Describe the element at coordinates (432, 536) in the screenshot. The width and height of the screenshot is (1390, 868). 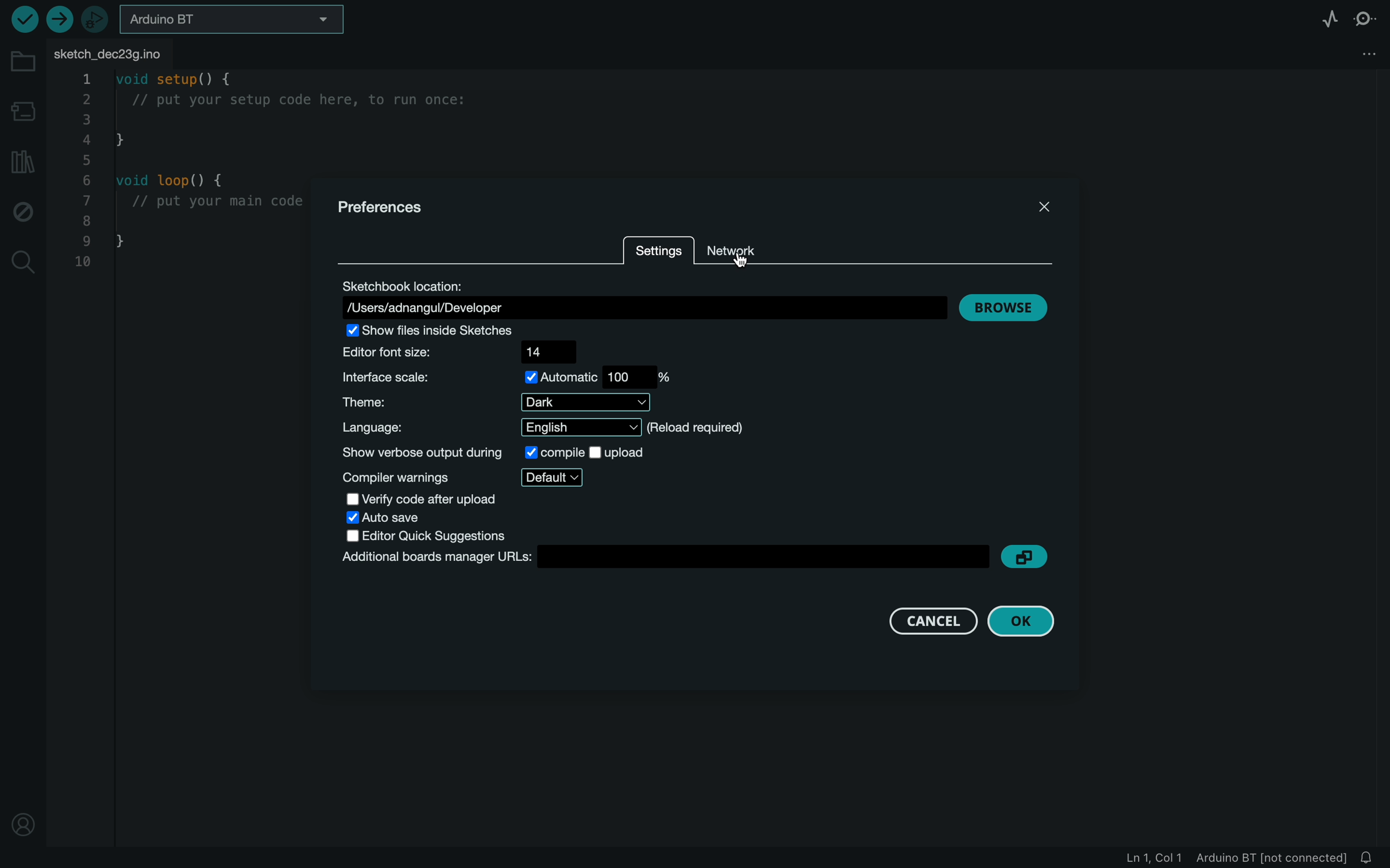
I see `editor` at that location.